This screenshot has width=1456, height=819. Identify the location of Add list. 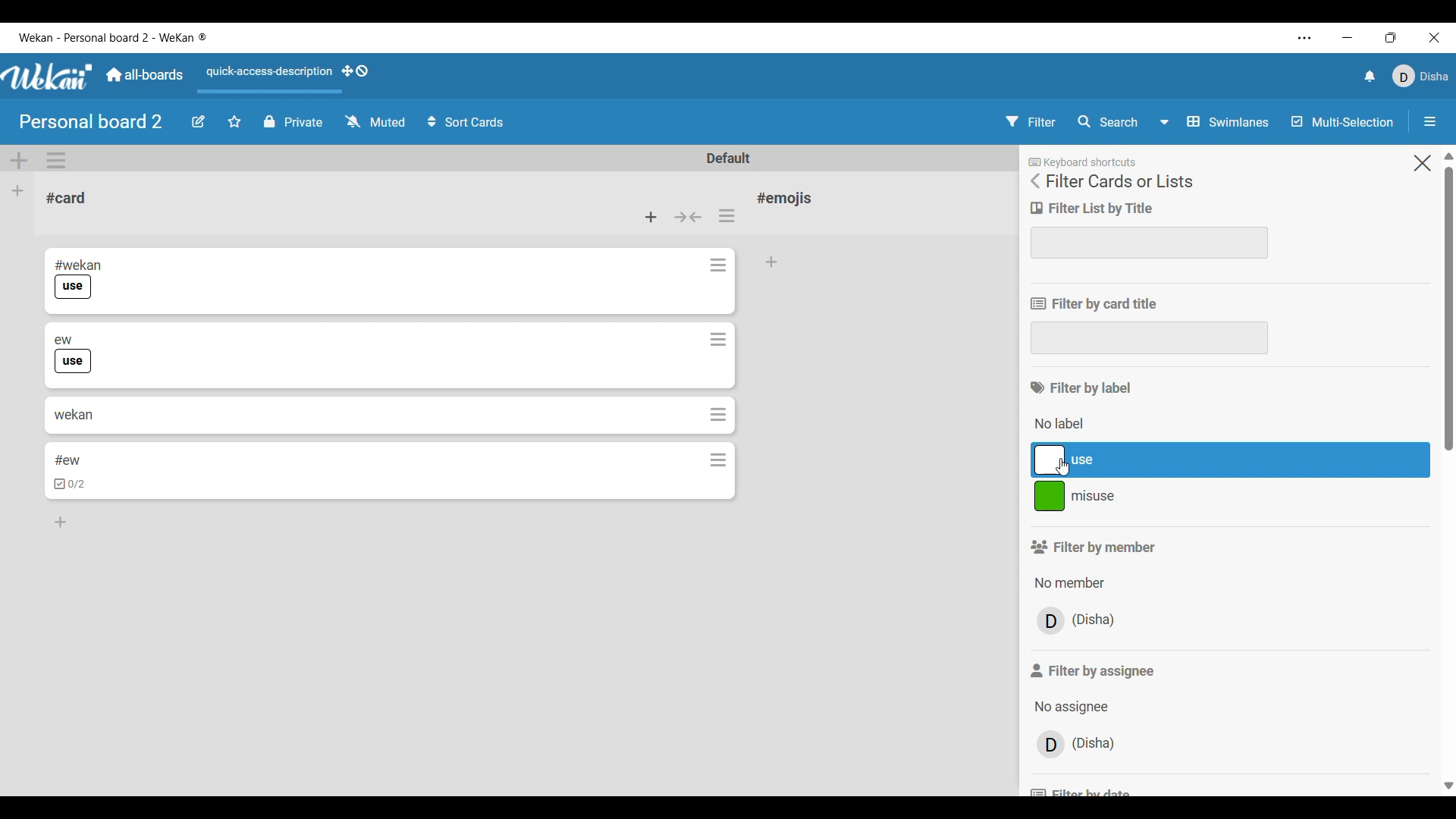
(17, 191).